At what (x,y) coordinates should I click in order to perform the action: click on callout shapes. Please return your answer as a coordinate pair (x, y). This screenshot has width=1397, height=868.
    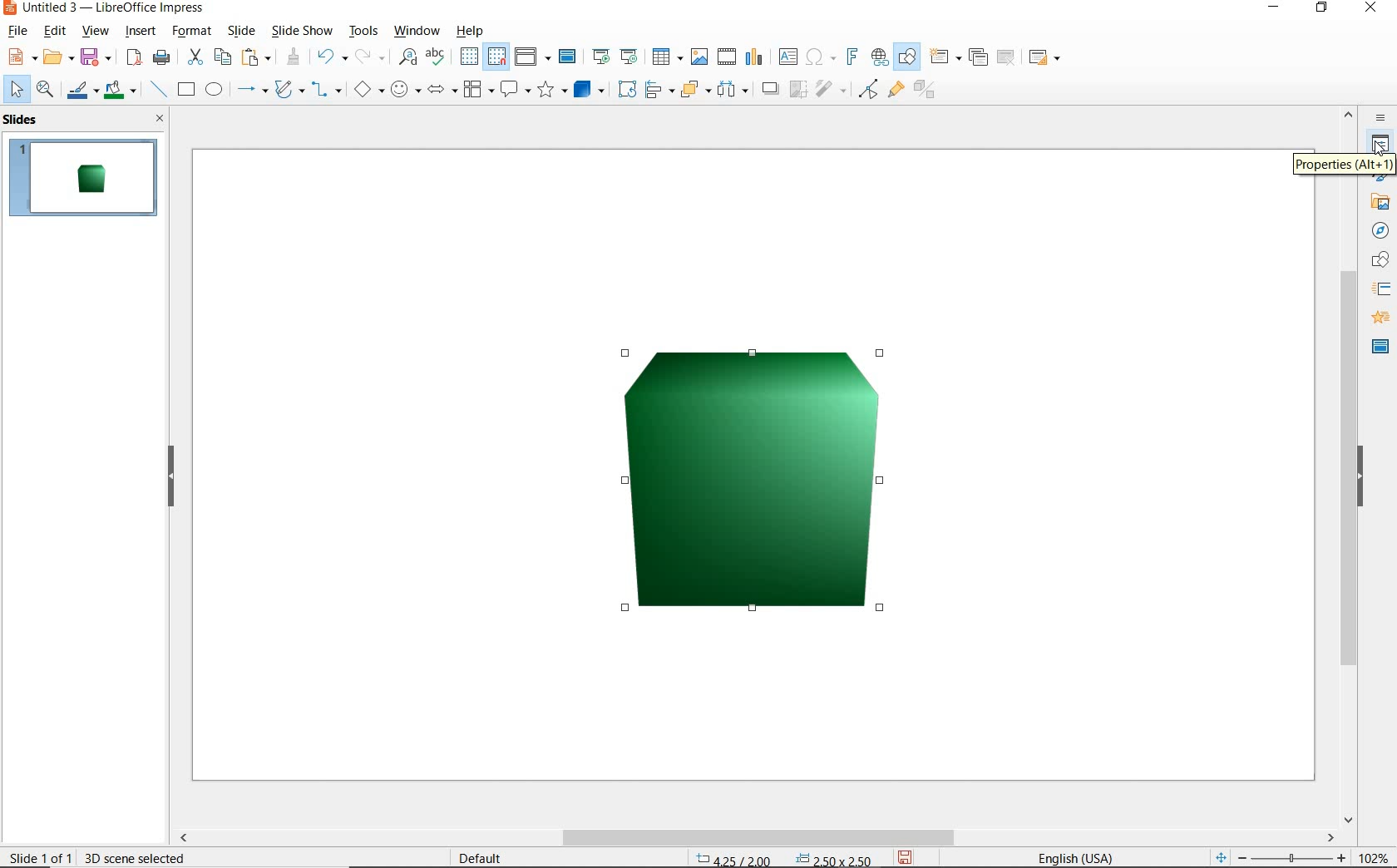
    Looking at the image, I should click on (516, 90).